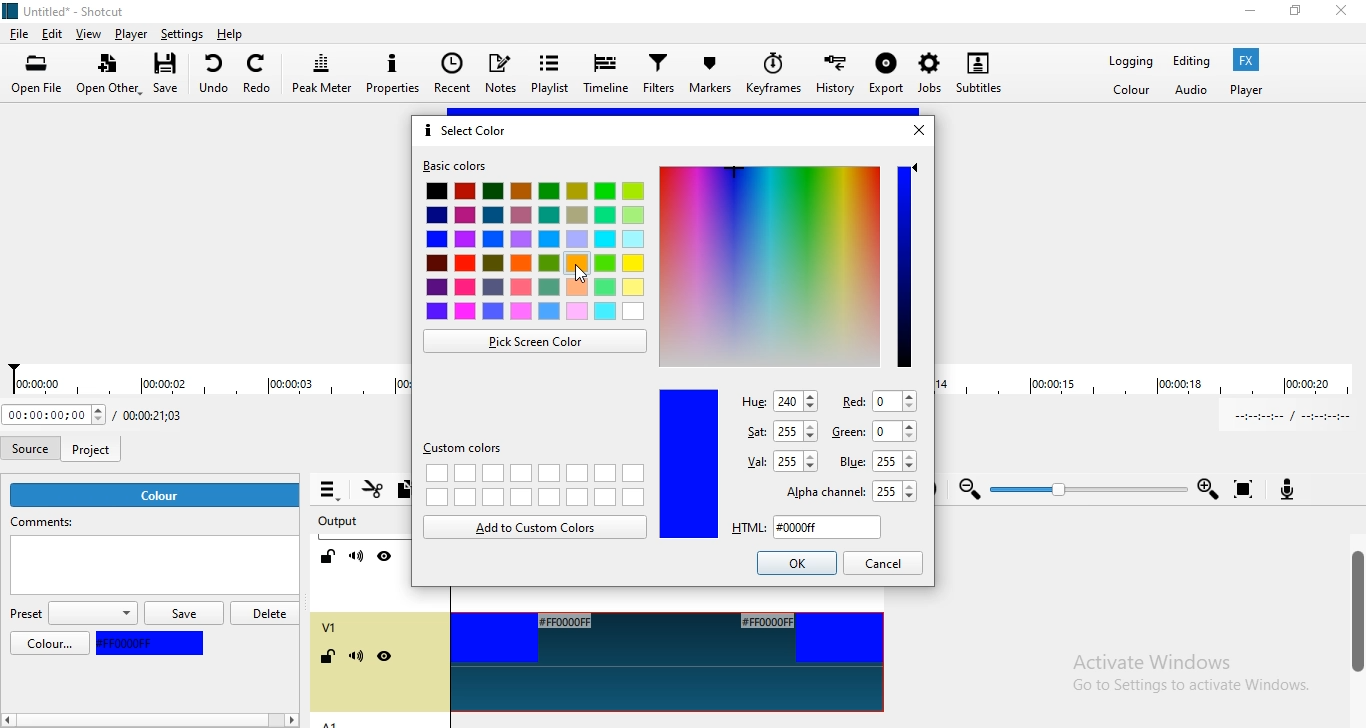 The image size is (1366, 728). Describe the element at coordinates (396, 72) in the screenshot. I see `Properties` at that location.